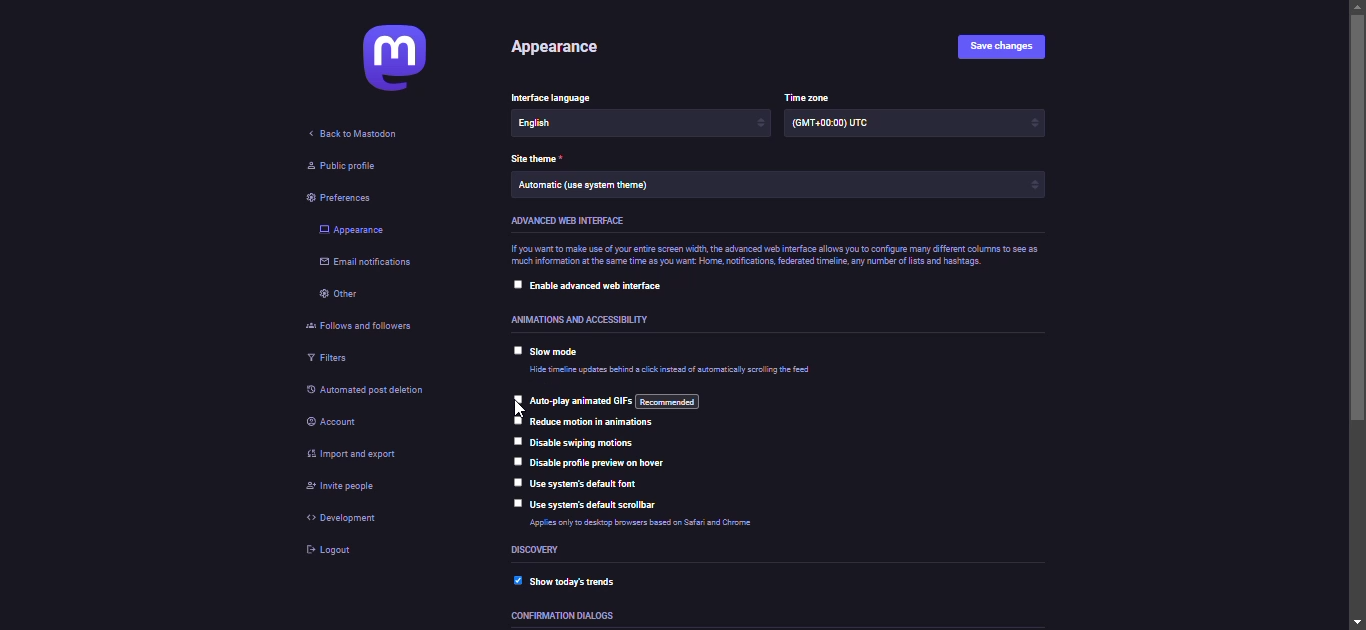 The height and width of the screenshot is (630, 1366). What do you see at coordinates (370, 325) in the screenshot?
I see `follows and followers` at bounding box center [370, 325].